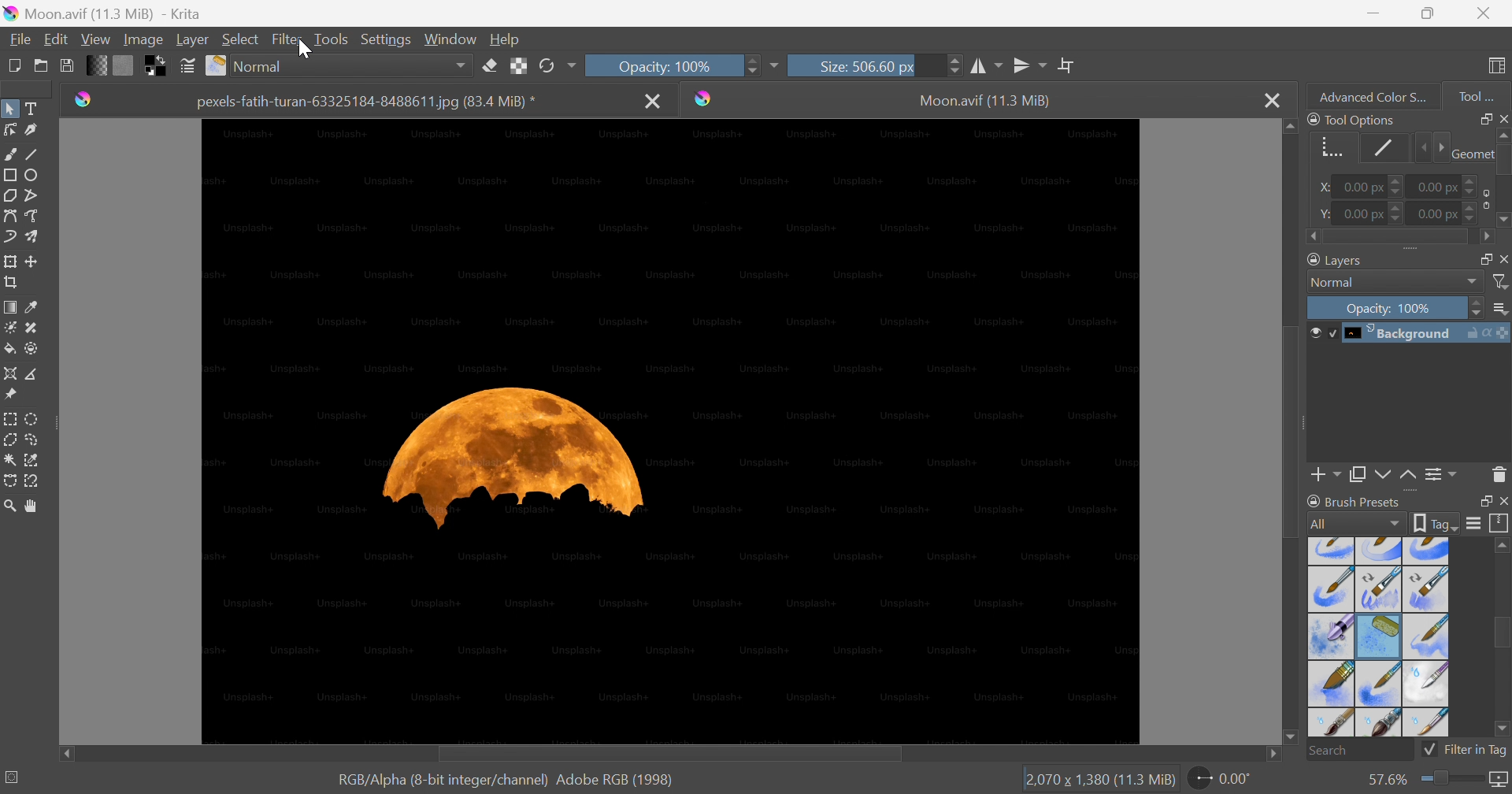  What do you see at coordinates (10, 440) in the screenshot?
I see `Polygonal selection tool` at bounding box center [10, 440].